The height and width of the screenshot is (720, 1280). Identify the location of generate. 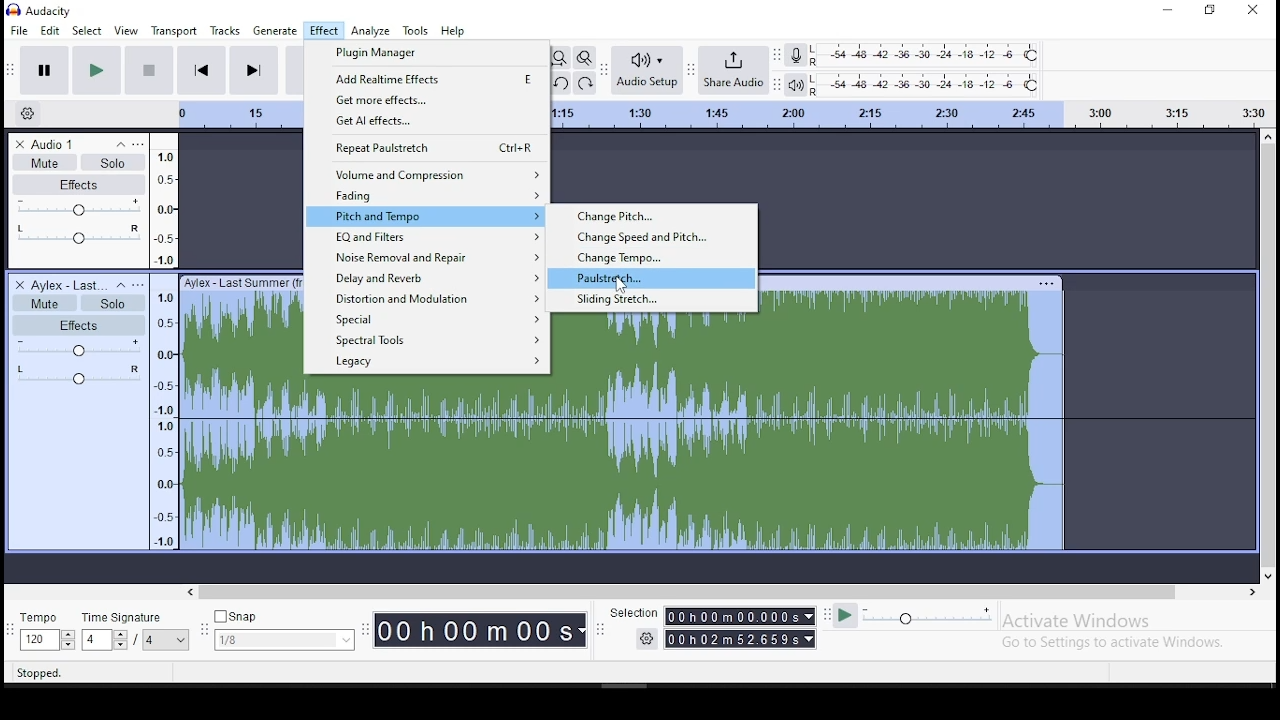
(276, 32).